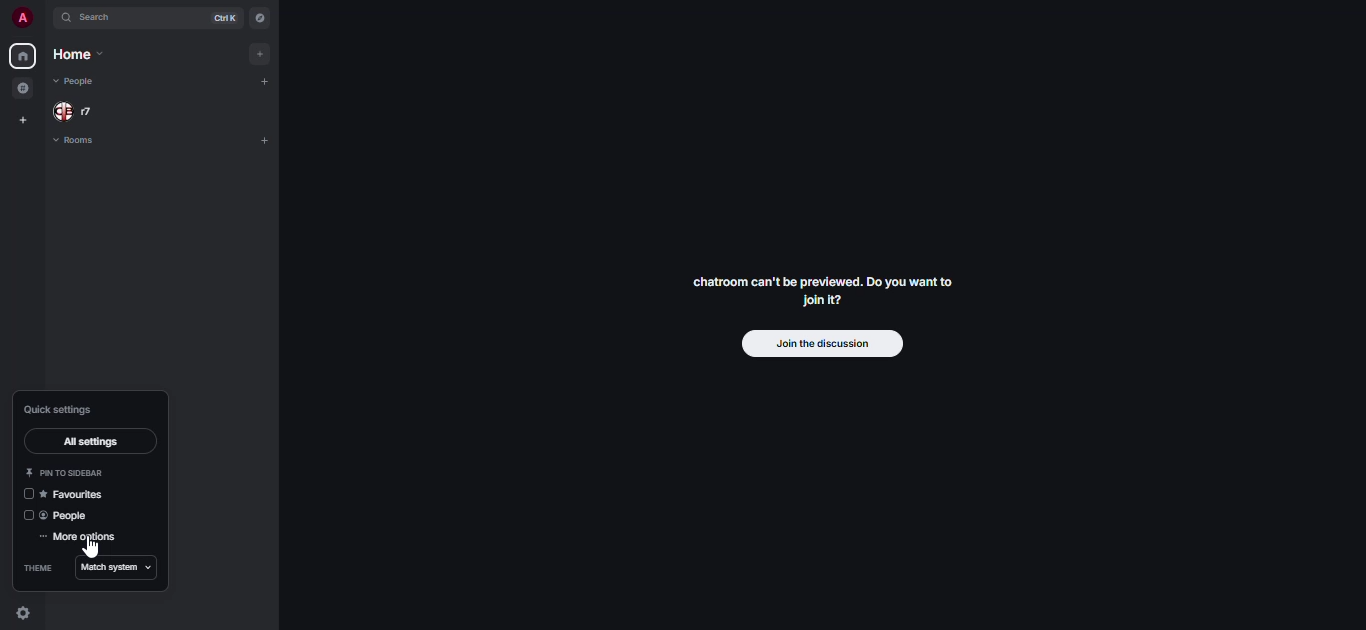 The height and width of the screenshot is (630, 1366). What do you see at coordinates (221, 18) in the screenshot?
I see `ctrl K` at bounding box center [221, 18].